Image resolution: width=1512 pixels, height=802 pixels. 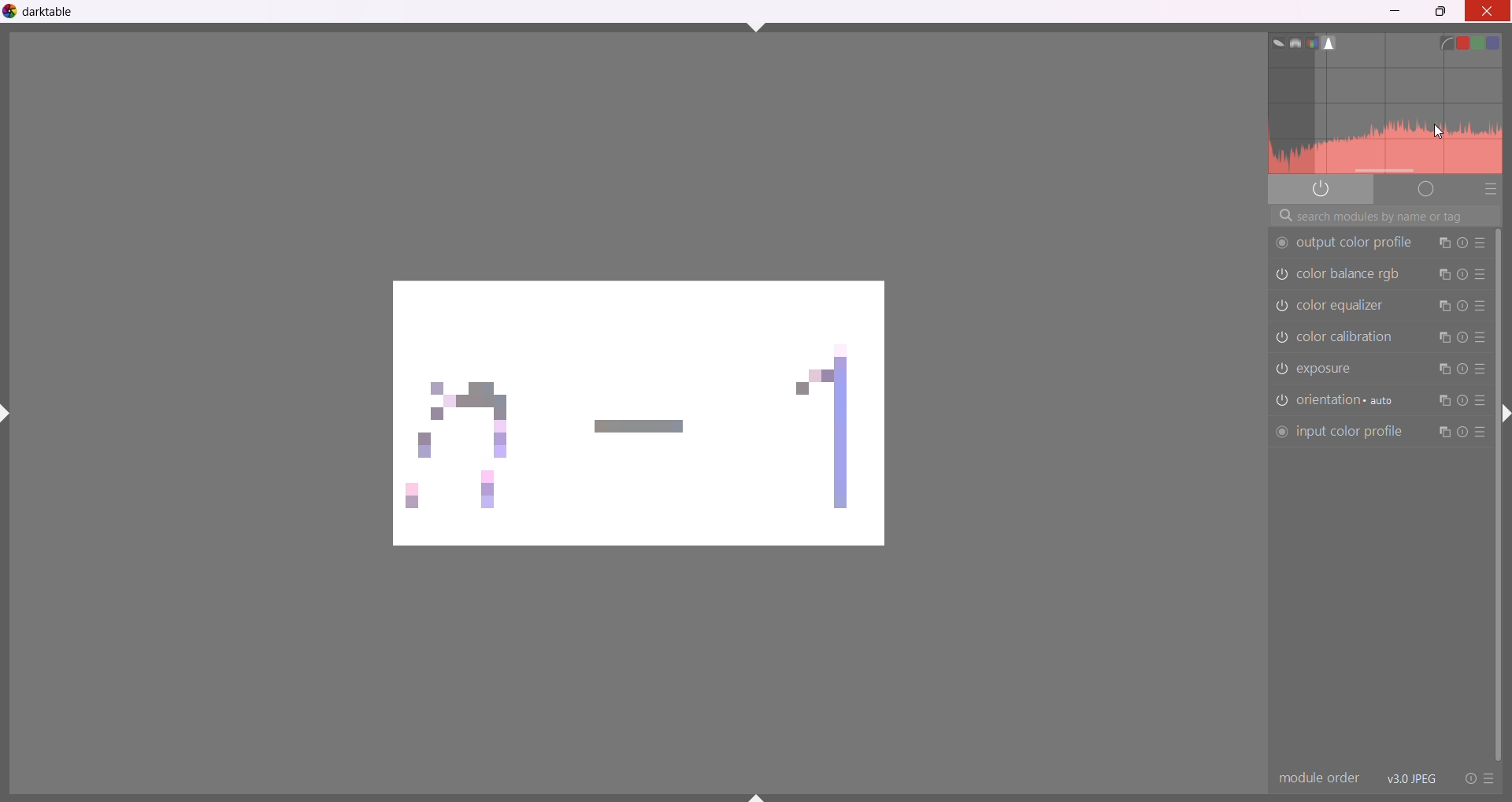 I want to click on vertical scroll bar, so click(x=1499, y=493).